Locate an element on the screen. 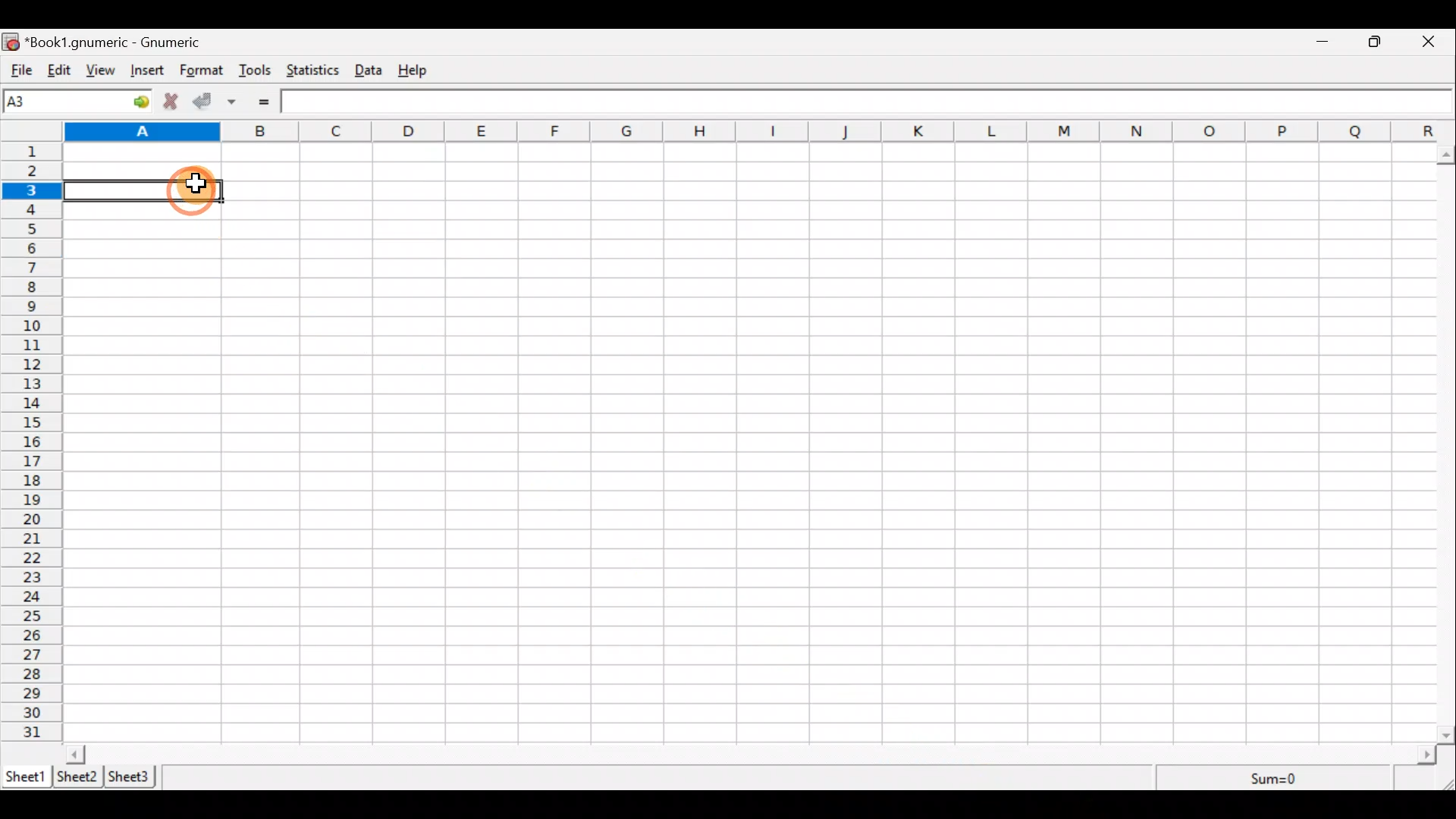  Formula bar is located at coordinates (865, 100).